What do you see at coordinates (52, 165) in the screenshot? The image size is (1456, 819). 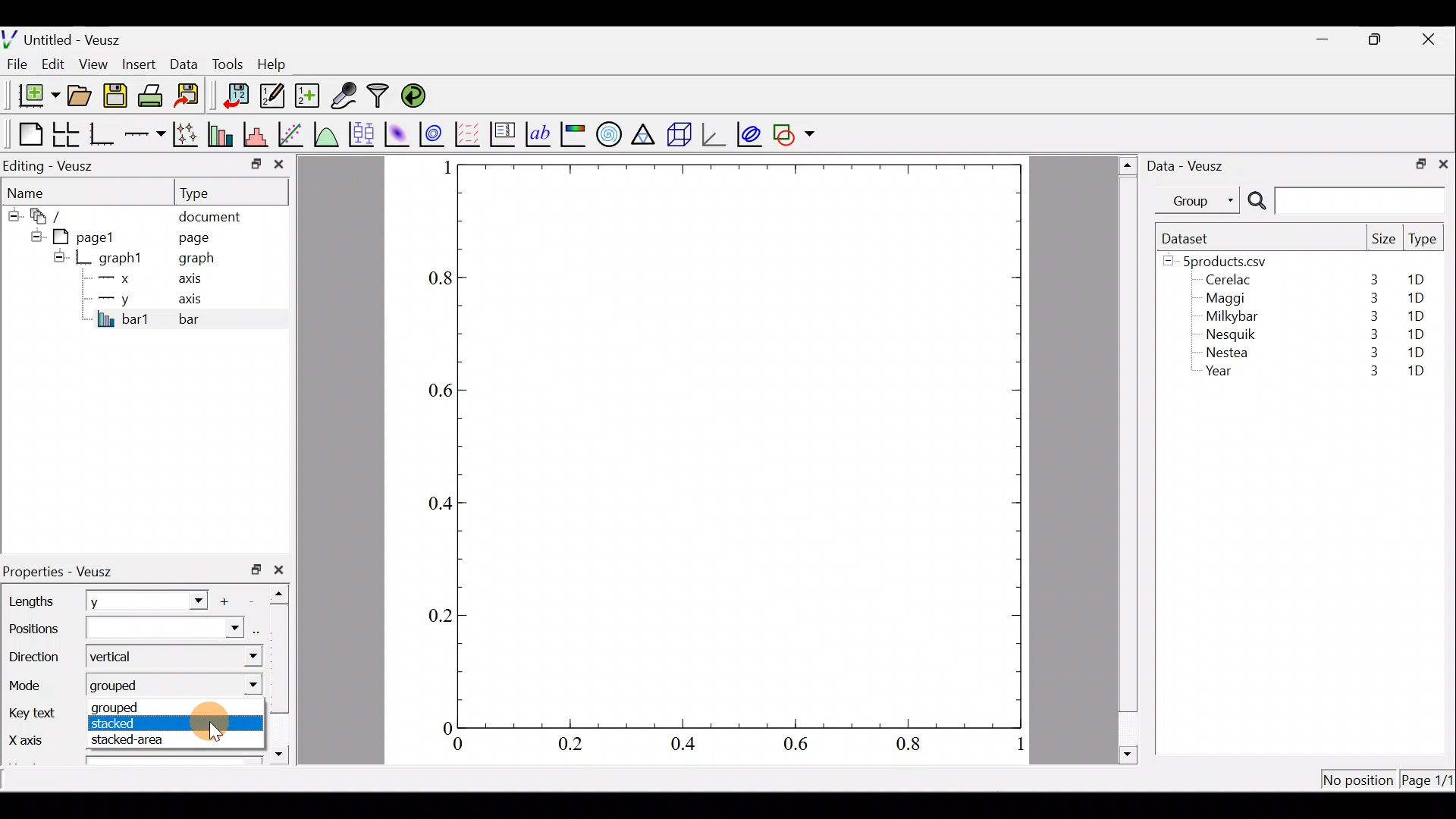 I see `Editing - Veusz` at bounding box center [52, 165].